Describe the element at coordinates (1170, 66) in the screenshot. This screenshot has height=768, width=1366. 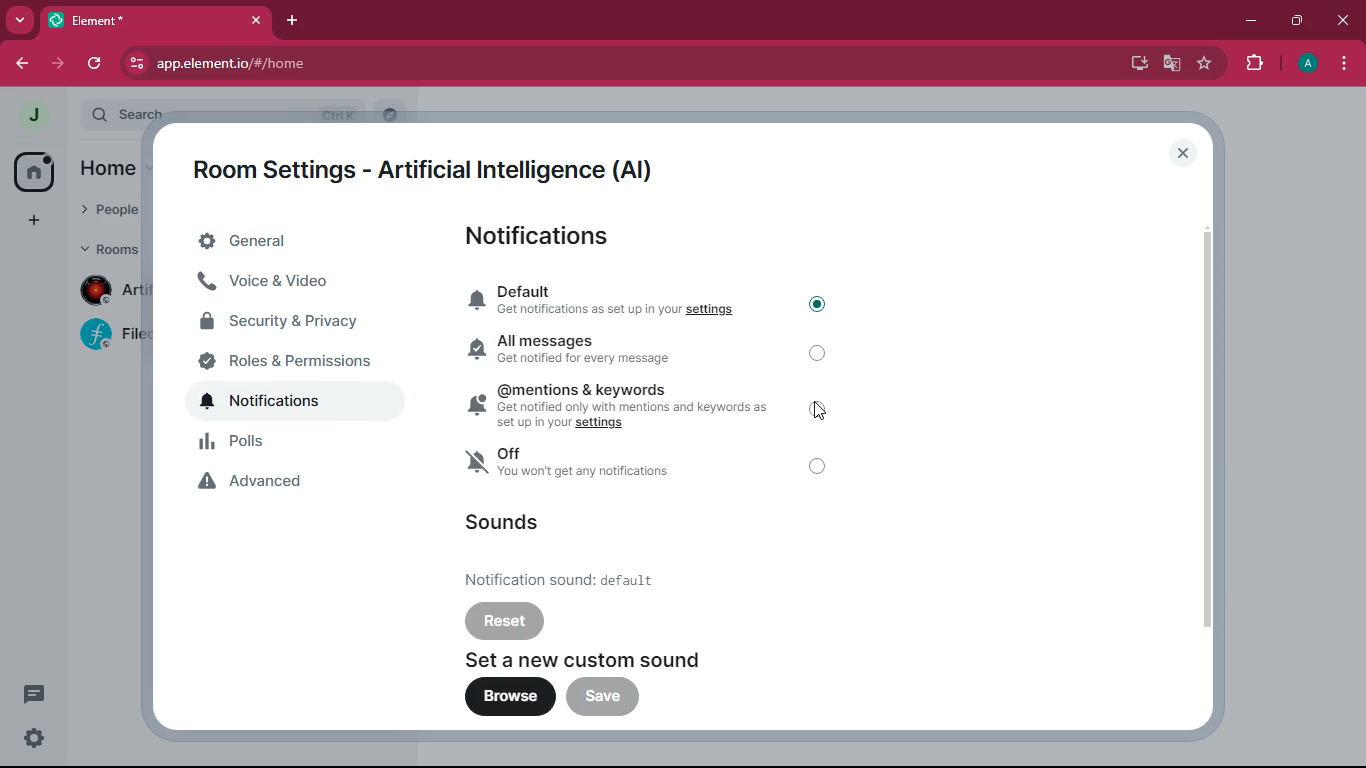
I see `google translate` at that location.